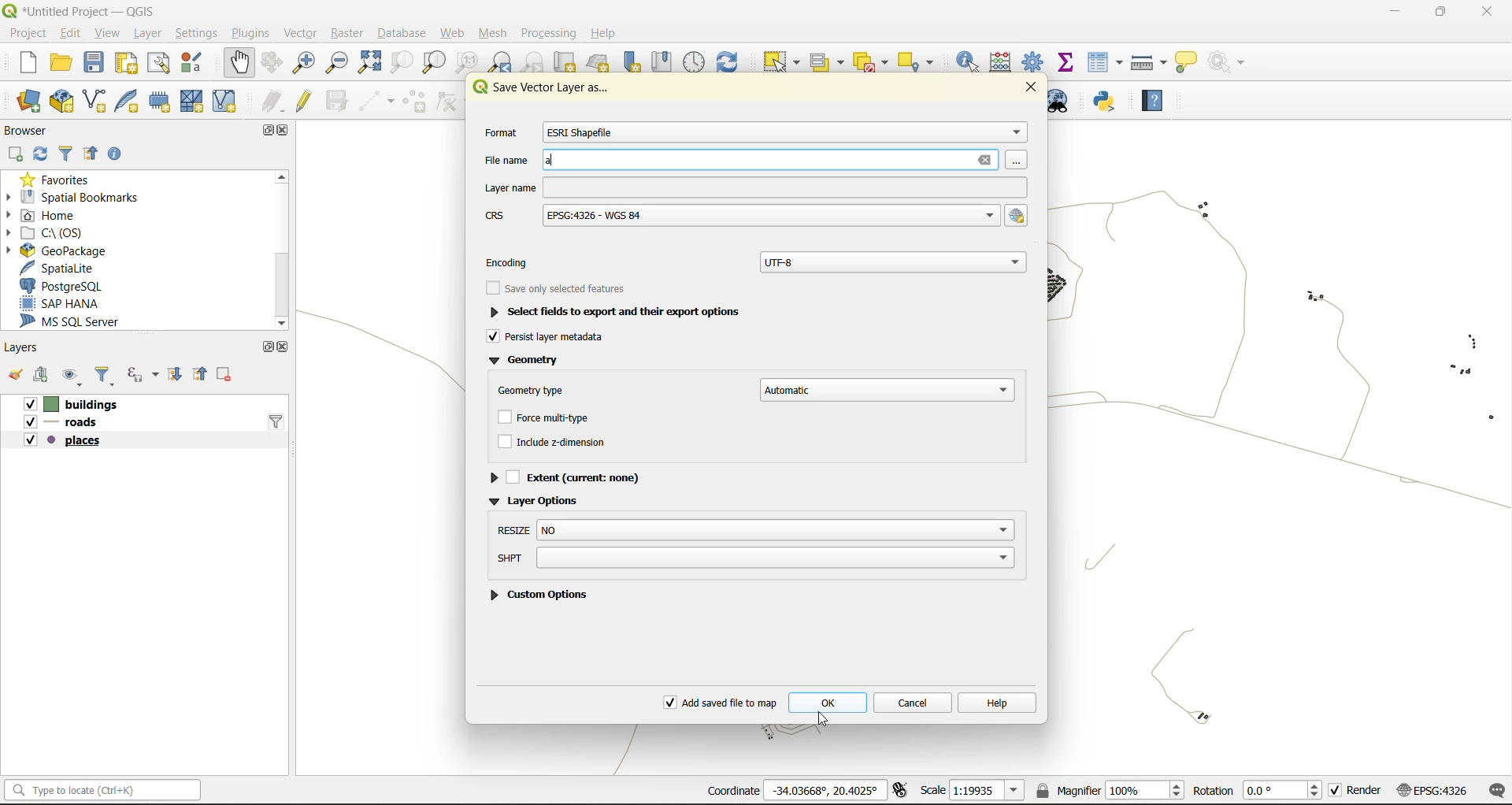 The image size is (1512, 805). I want to click on , so click(753, 217).